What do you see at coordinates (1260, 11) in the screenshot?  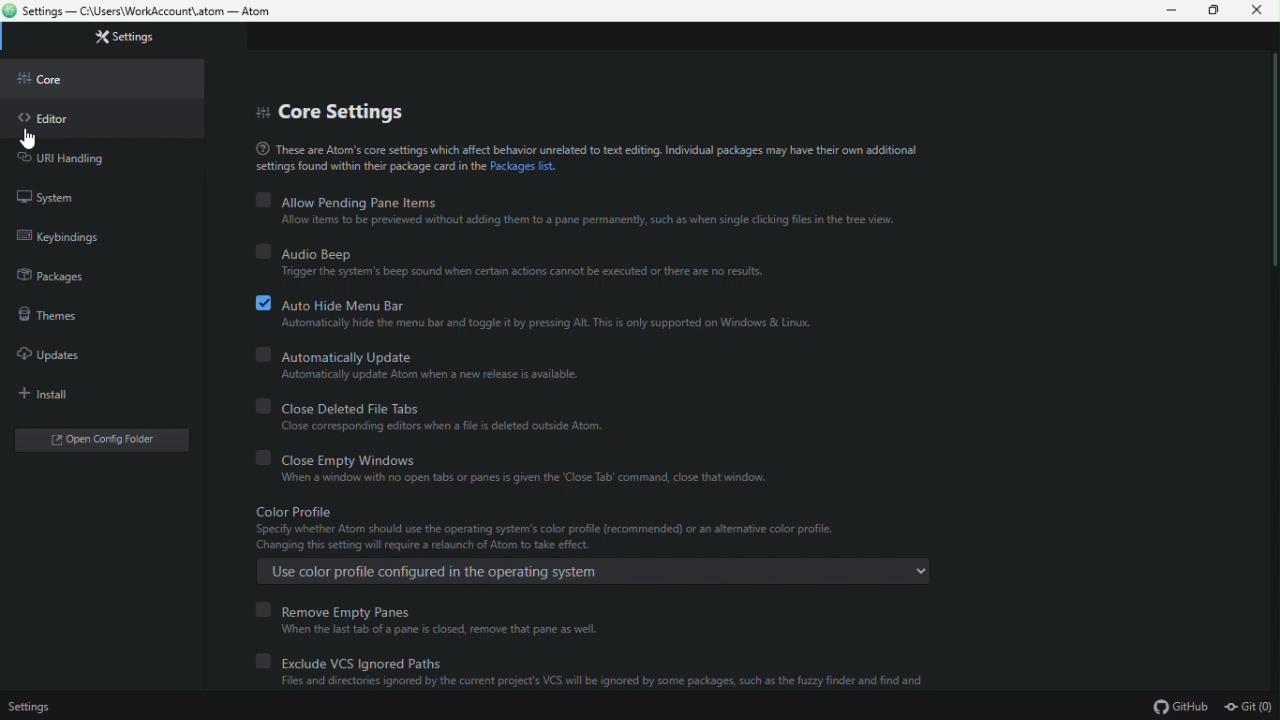 I see `Close` at bounding box center [1260, 11].